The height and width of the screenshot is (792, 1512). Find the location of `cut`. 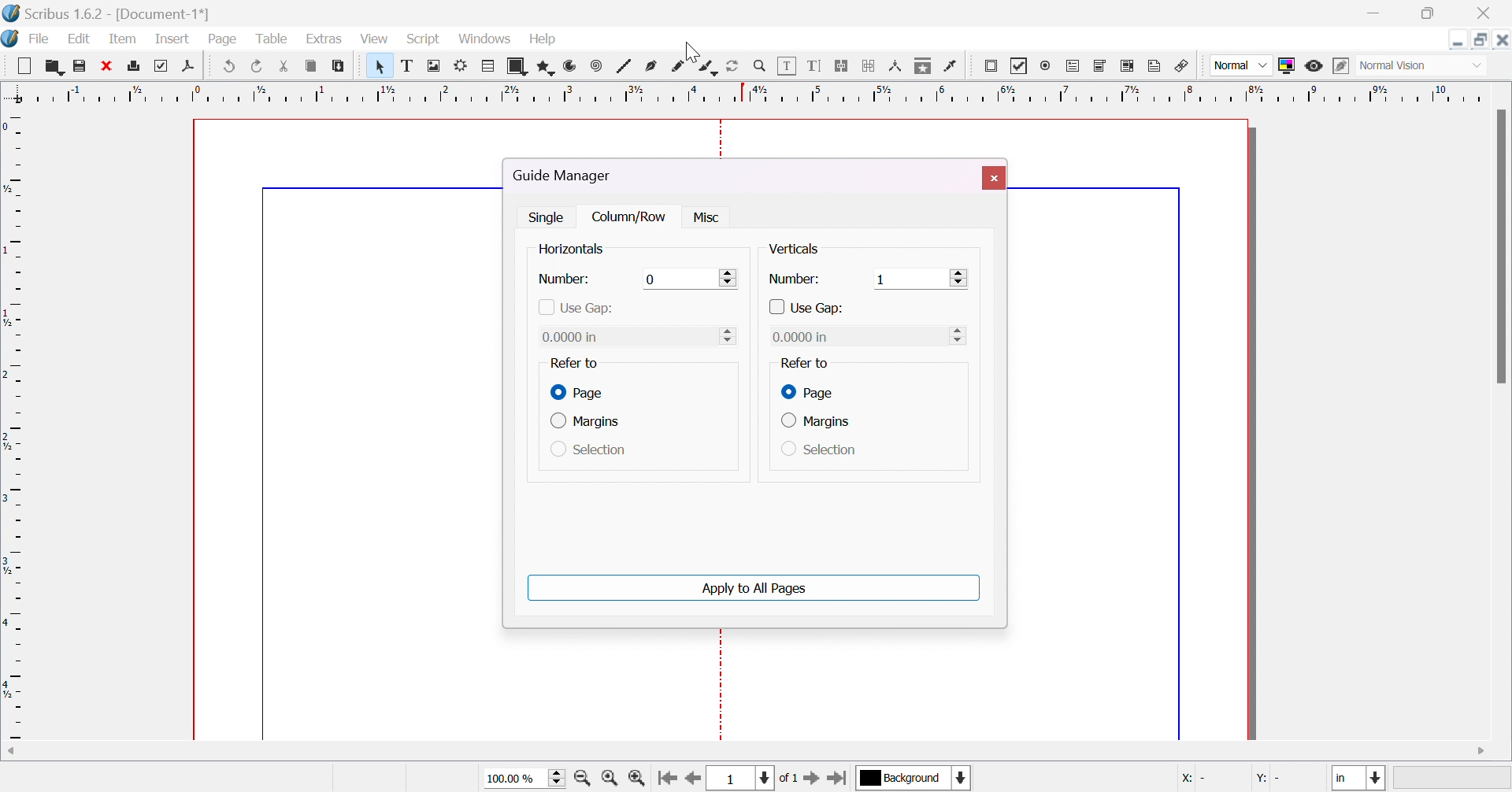

cut is located at coordinates (283, 65).